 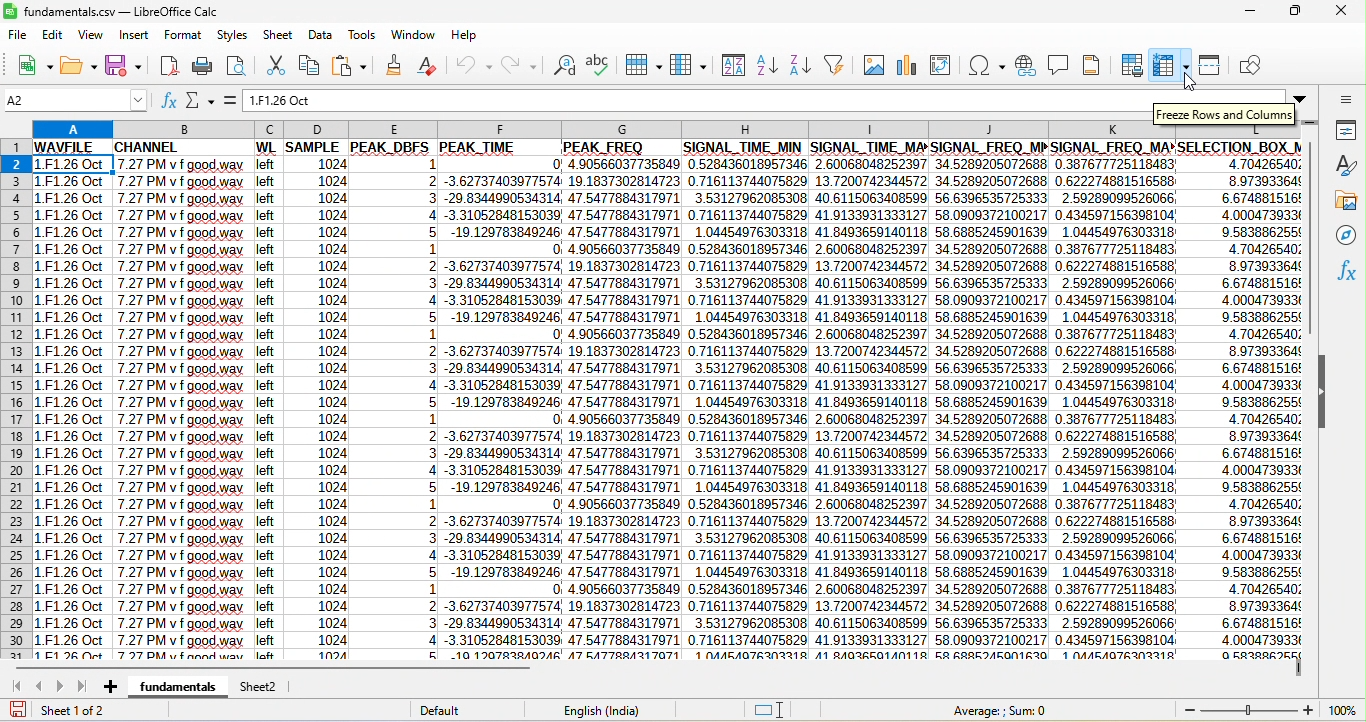 I want to click on mimimize, so click(x=1250, y=13).